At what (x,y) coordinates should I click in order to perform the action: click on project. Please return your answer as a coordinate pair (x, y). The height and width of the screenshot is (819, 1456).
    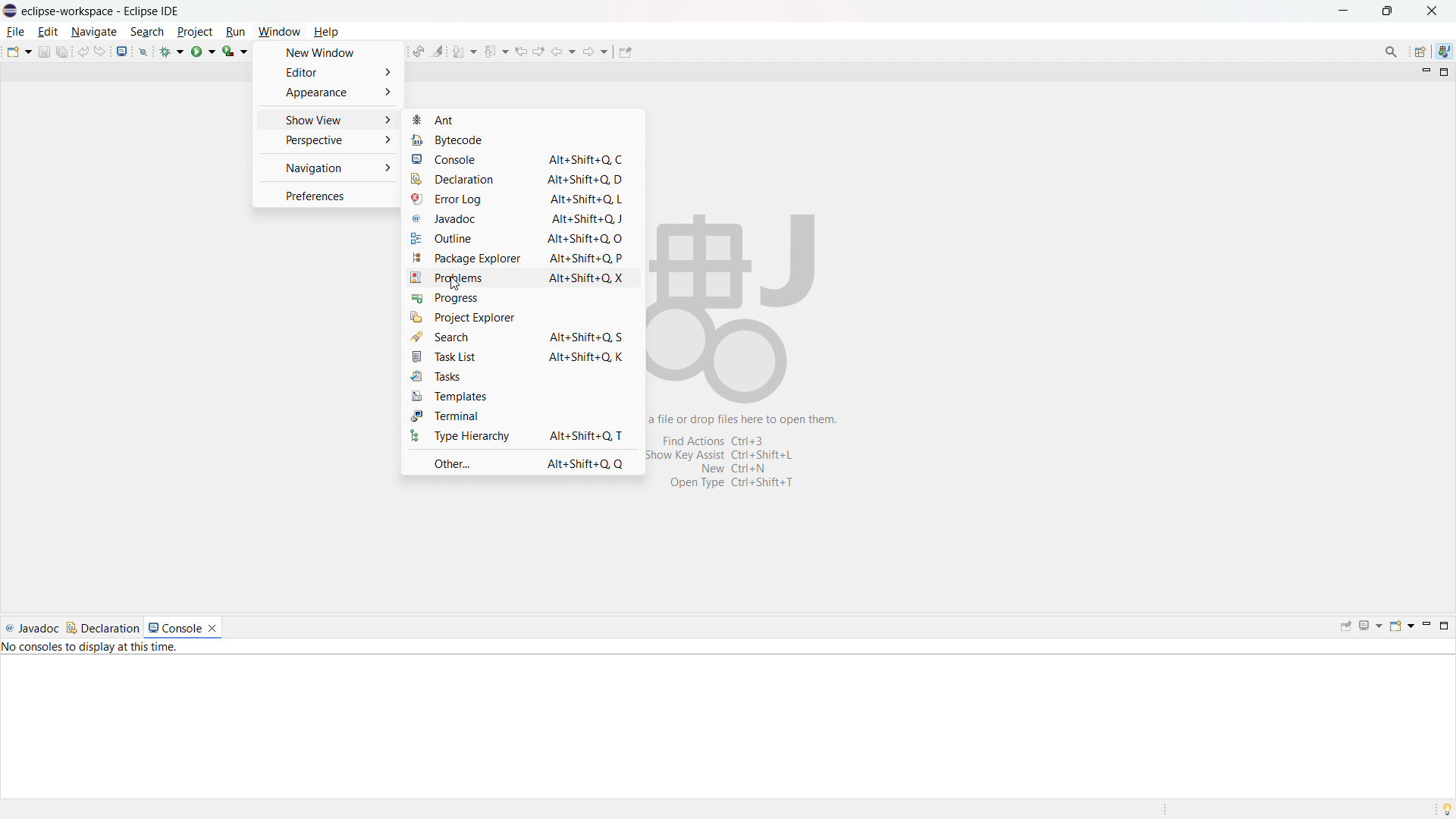
    Looking at the image, I should click on (196, 33).